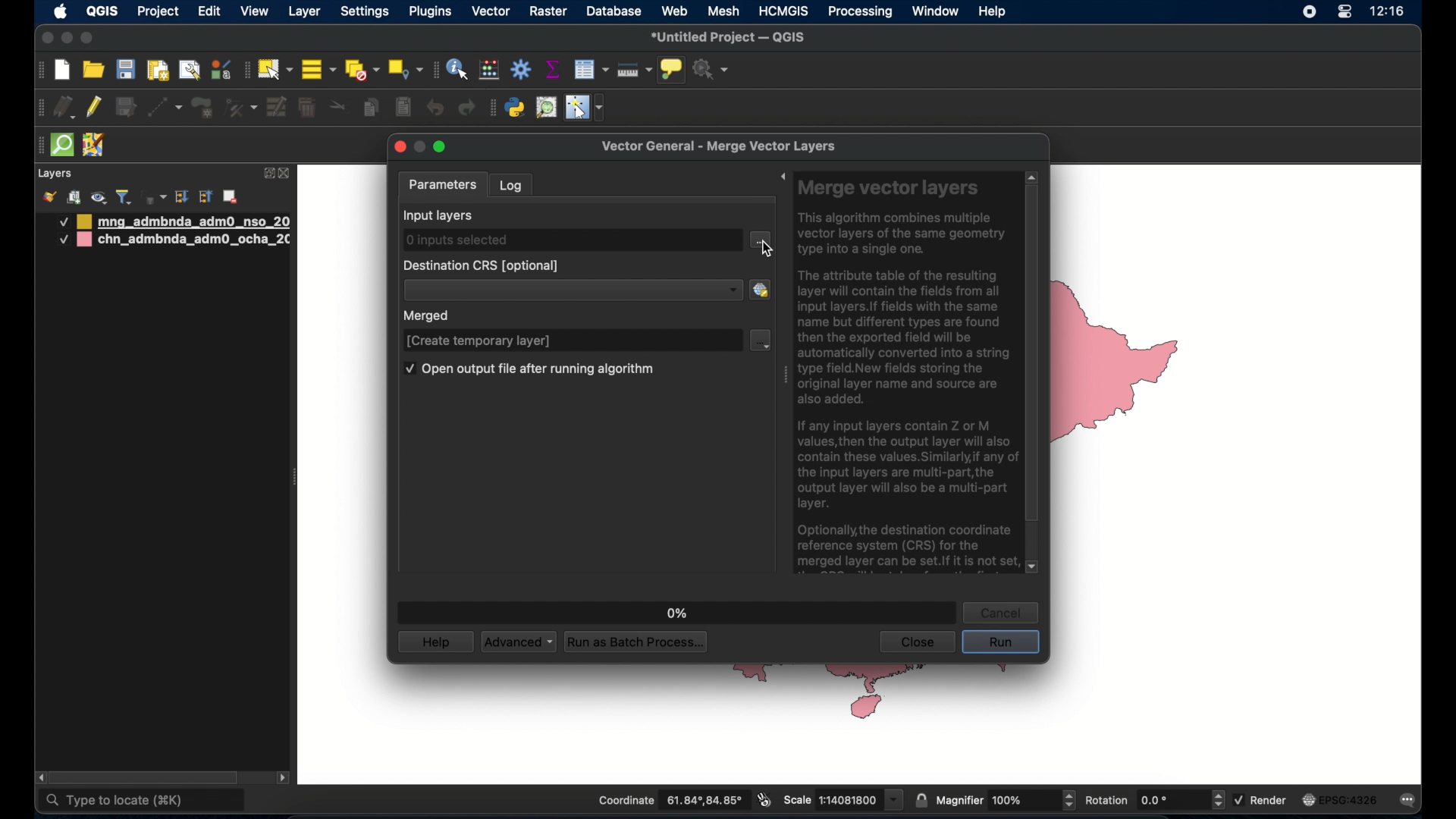  I want to click on select by area or single click, so click(277, 67).